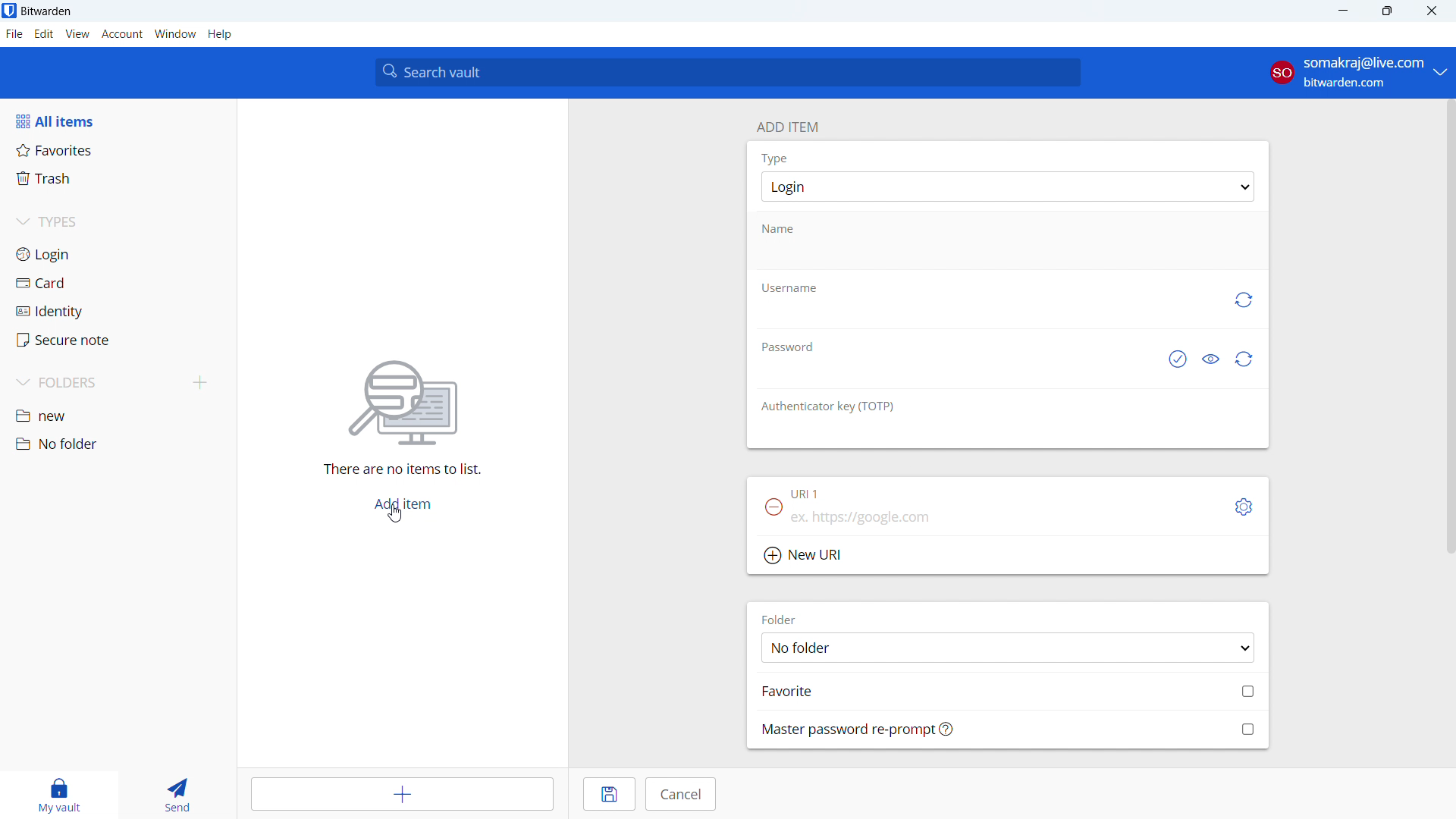 This screenshot has width=1456, height=819. Describe the element at coordinates (14, 34) in the screenshot. I see `file` at that location.